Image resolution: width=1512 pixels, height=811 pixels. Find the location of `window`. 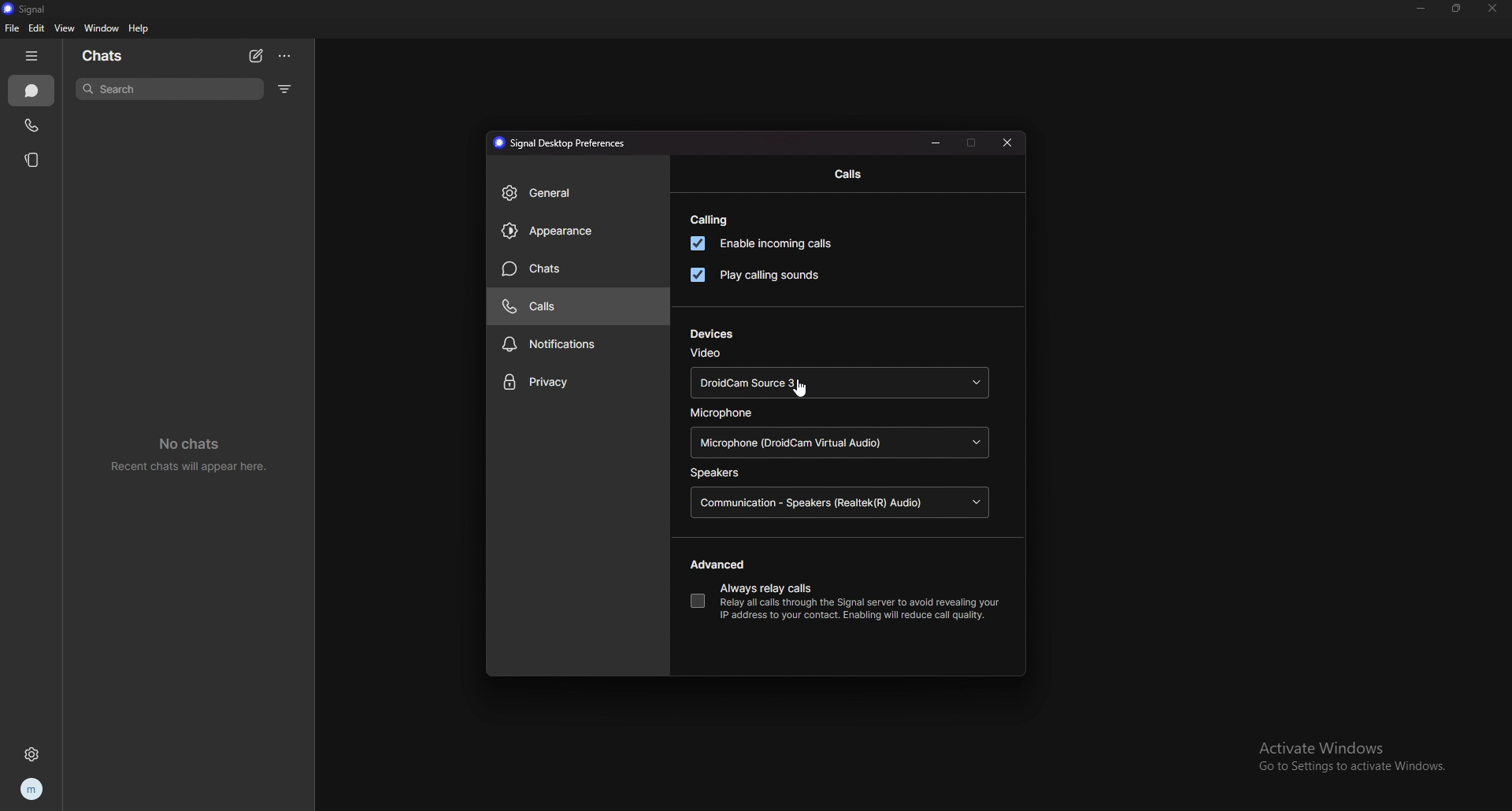

window is located at coordinates (103, 28).